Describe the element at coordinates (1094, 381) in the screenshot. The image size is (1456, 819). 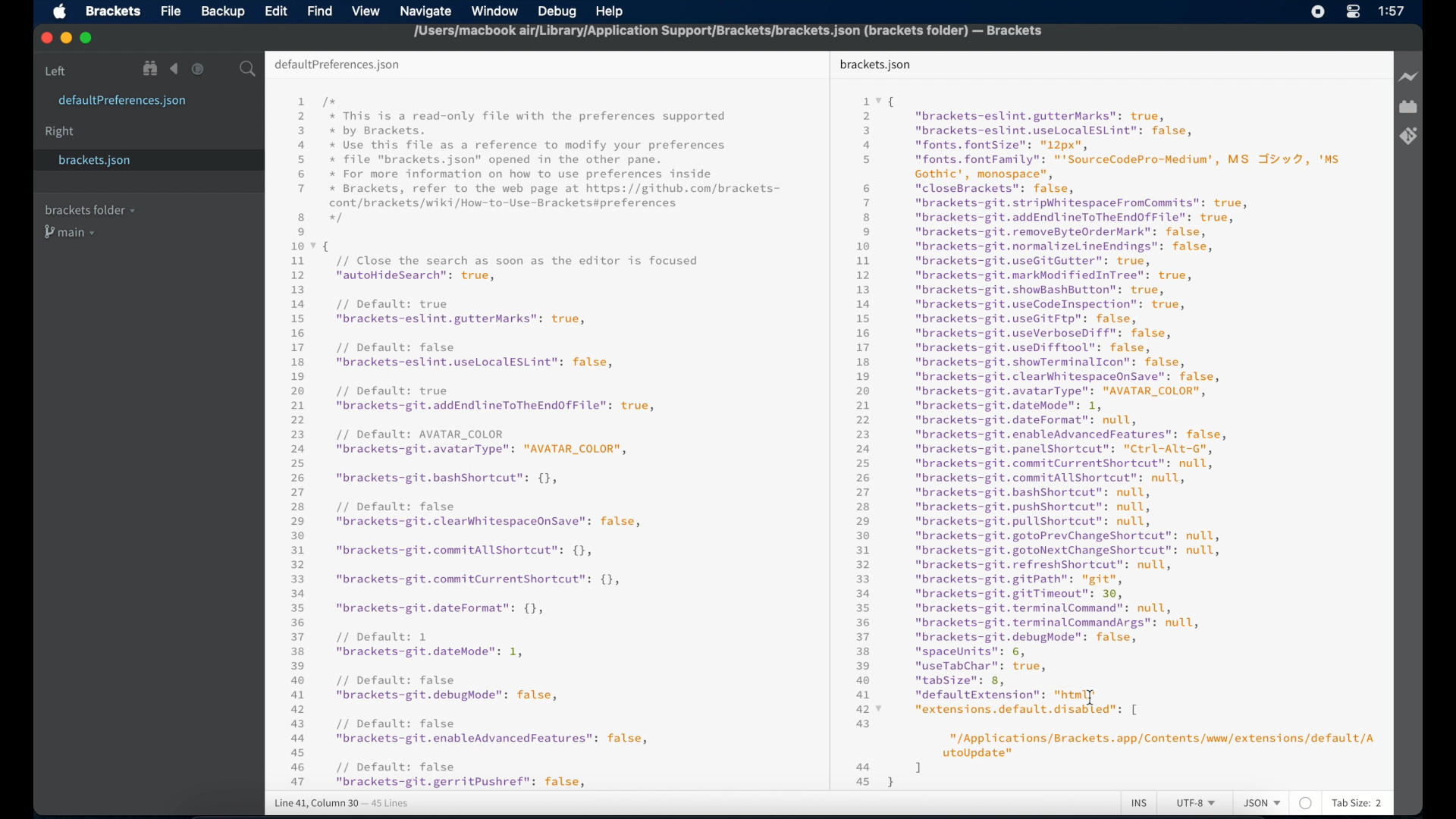
I see `1vq

2 "brackets-eslint.gutterMarks": true,

3 "brackets-eslint.useLocalESLint": false,

a "fonts. fontSize": "12px",

5 "fonts. fontFamily": "'SourceCodePro-Medium', MS JY v7, 'Ms
Gothic', monospace",

6 "closeBrackets": false,

7 “"brackets-git.stripWhitespaceFromCommits": true,

8 "brackets-git.addEndlineToTheEndOfFile": true,

9 “"brackets-git.removeByteOrderMark": false,

10 "brackets-git.normalizelLineEndings": false,

1 "brackets-git.useGitGutter": true,

12 "brackets-git.markModifiedInTree": true,

13 "brackets-git.showBashButton": true,

14 "brackets-git.useCodeInspection": true,

15 "brackets-git.useGitFtp": false,

16 "brackets-git.useVerboseDiff": false,

17 "brackets-git.useDifftool": false,

18 "brackets-git.showTerminalIcon": false,

19 "brackets-git.clearWhitespaceOnSave": false,

20 “"brackets-git.avatarType": "AVATAR_COLOR",

21 "brackets-git.dateMode": 1,

22 "brackets-git.dateFormat": null,

23 "brackets-git.enableAdvancedFeatures": false,

24 "brackets-git.panelShortcut": "Ctrl-Alt-G",

25 "brackets-git.commitCurrentShortcut": null,

26 "brackets-git.commitAllShortcut": null,

27 "brackets-git.bashshortcut": null,

28 "brackets-git.pushshortcut": null,

29 "brackets-git.pullShortcut": null,

30 "brackets-git.gotoPrevChangeShortcut": null,

31 "brackets-git.gotoNextChangeShortcut": null,

32 “"brackets-git.refreshshortcut": null,

33 “"brackets-git.gitPath": "git",

34 "brackets-git.gitTimeout": 30,

35 "brackets-git.terminalCommand": null,

36 "brackets-git.terminalCommandArgs": null,

37 "brackets-git.debugMode": false,

38 "spaceUnits": 6,

39 “useTabChar": true,` at that location.